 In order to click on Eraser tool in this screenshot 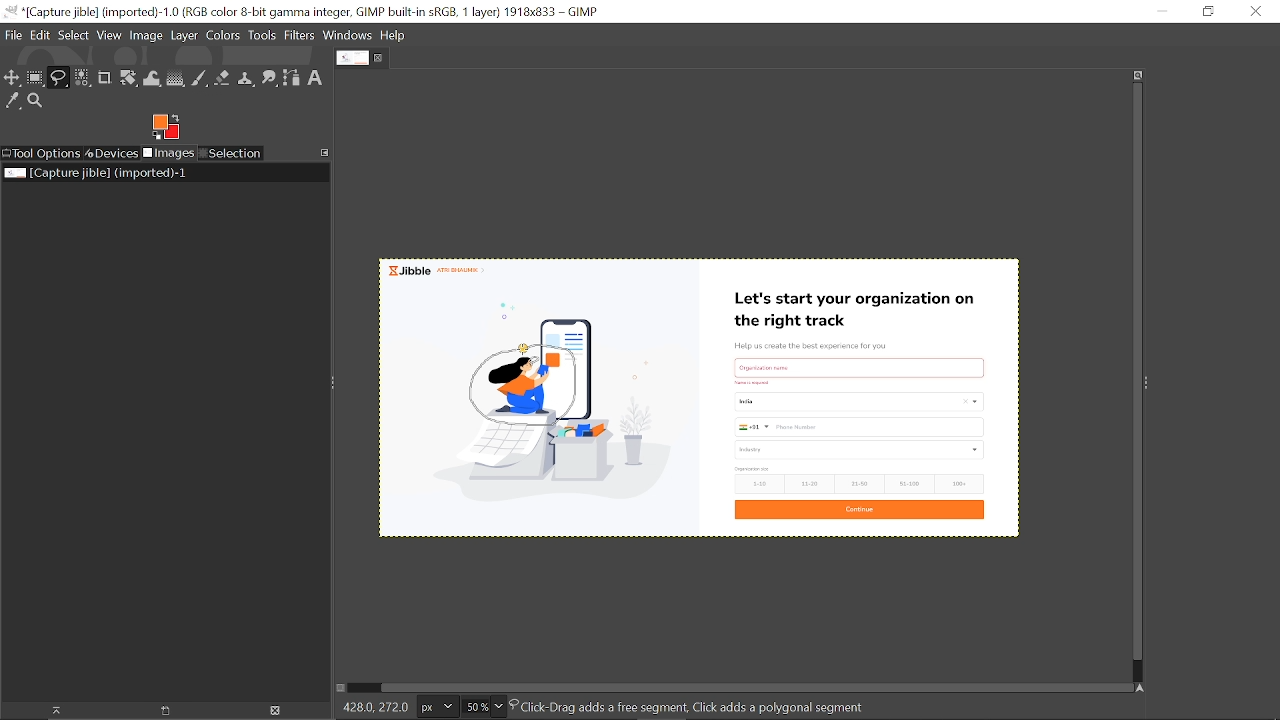, I will do `click(222, 78)`.